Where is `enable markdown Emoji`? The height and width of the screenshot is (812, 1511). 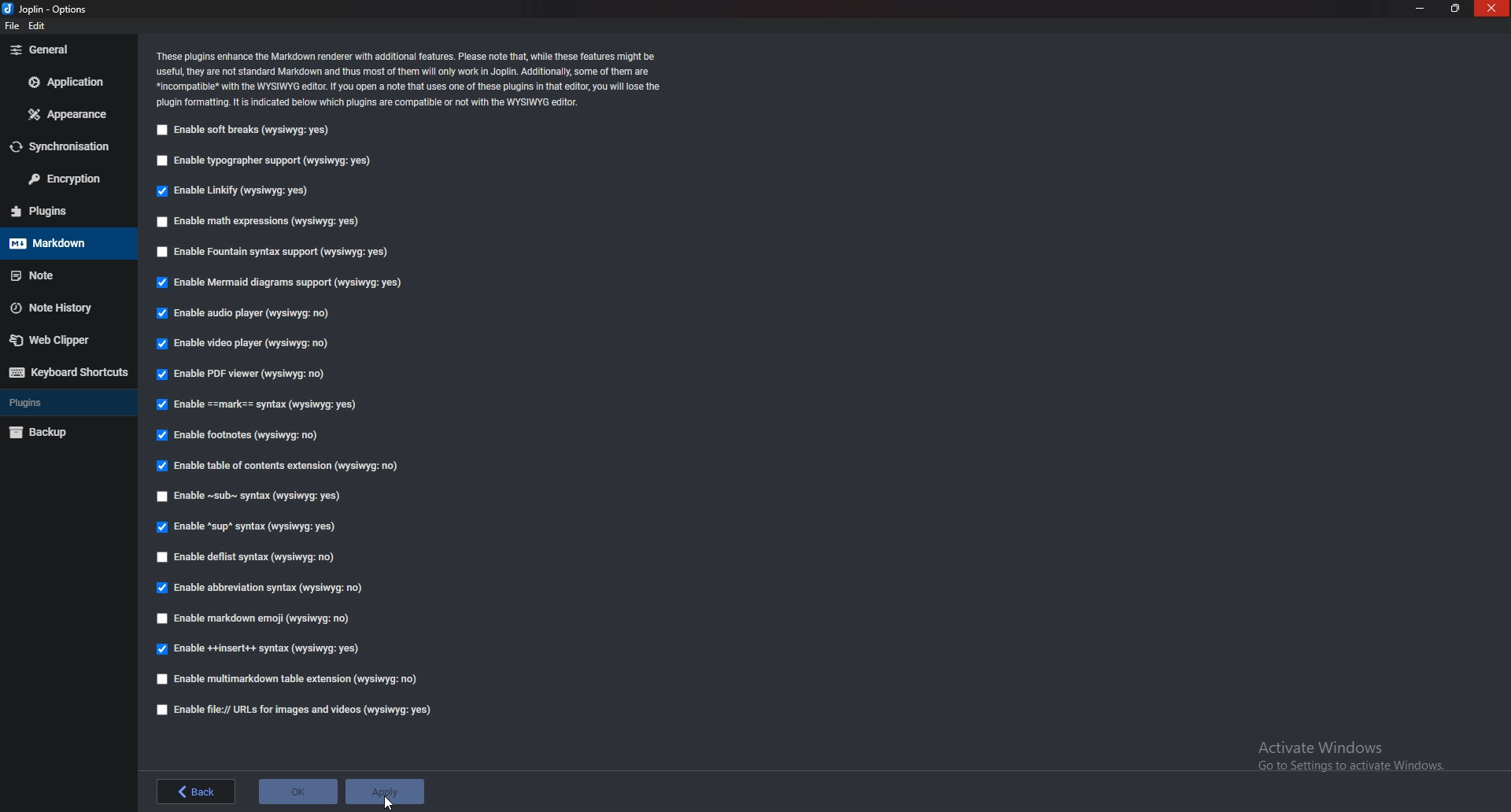 enable markdown Emoji is located at coordinates (254, 620).